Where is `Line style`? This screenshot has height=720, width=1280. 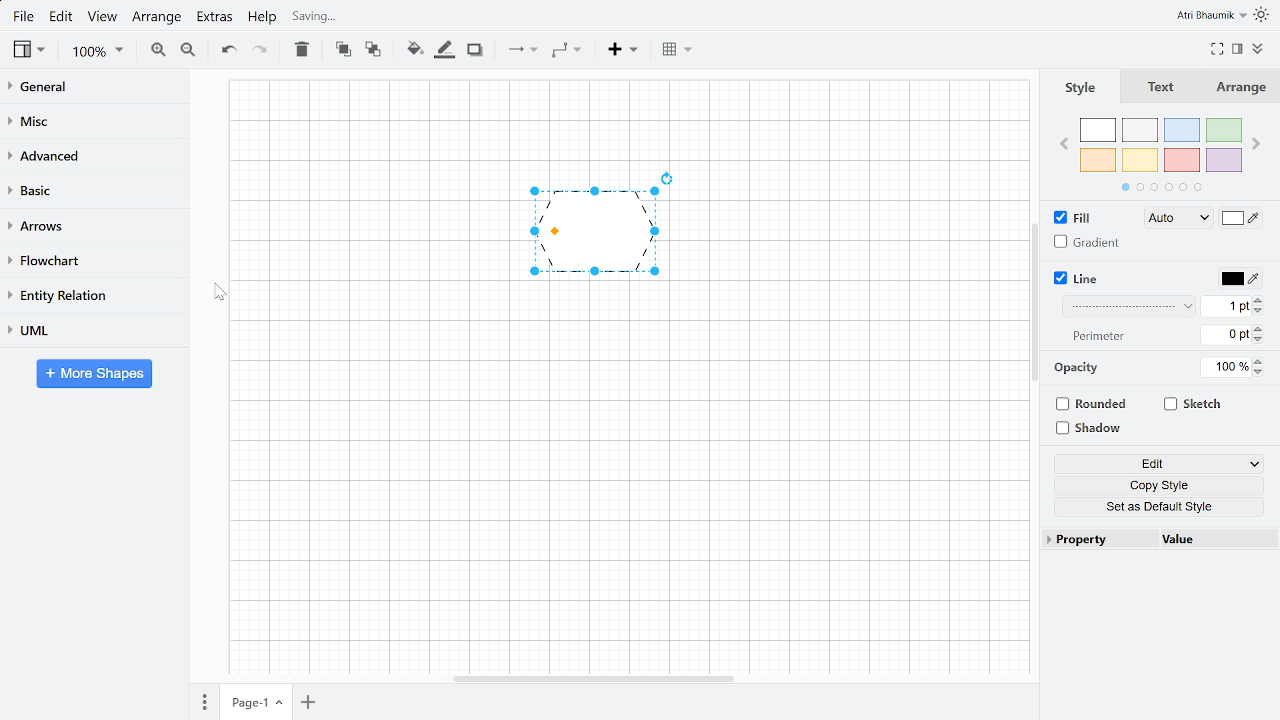
Line style is located at coordinates (1129, 306).